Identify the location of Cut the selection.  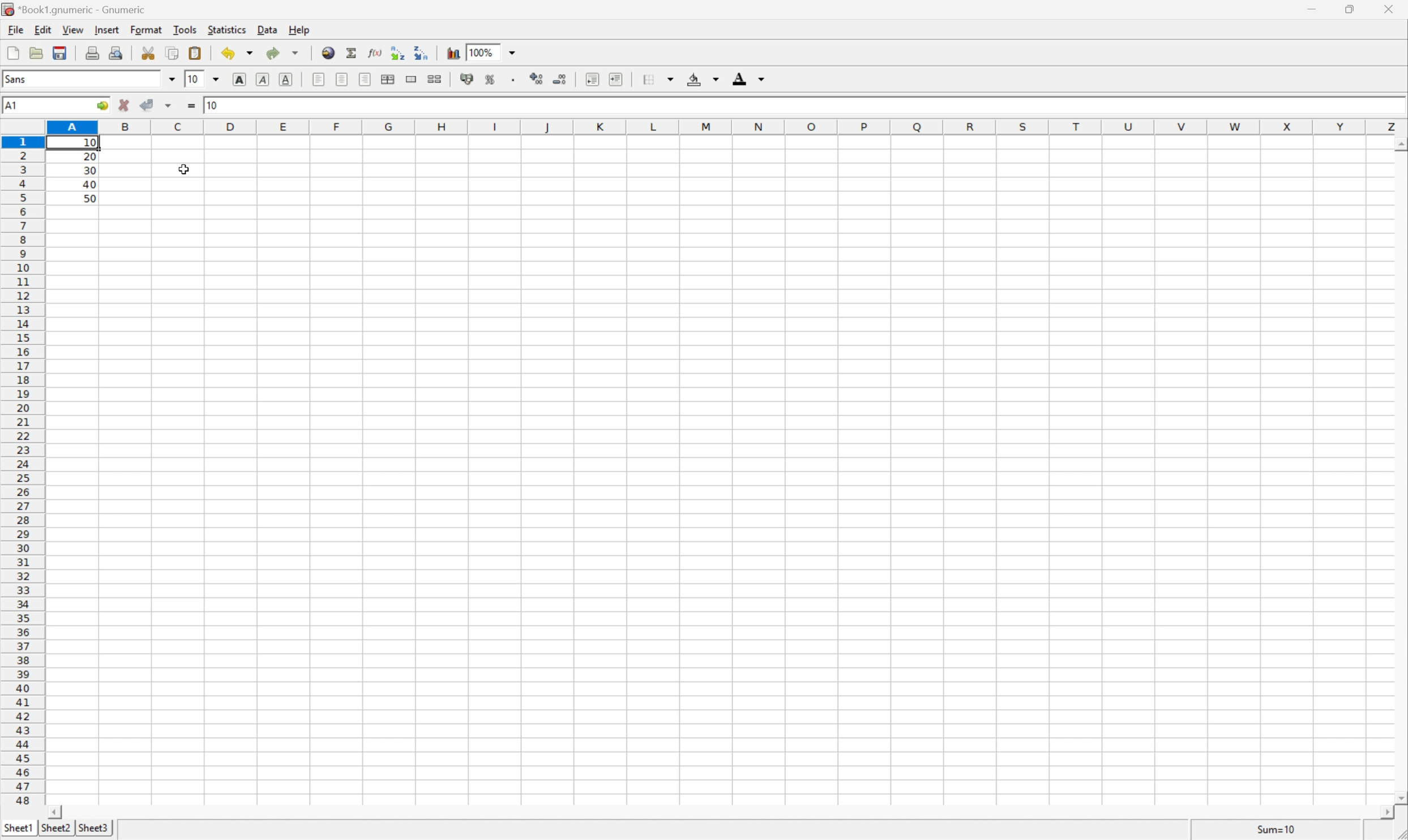
(147, 52).